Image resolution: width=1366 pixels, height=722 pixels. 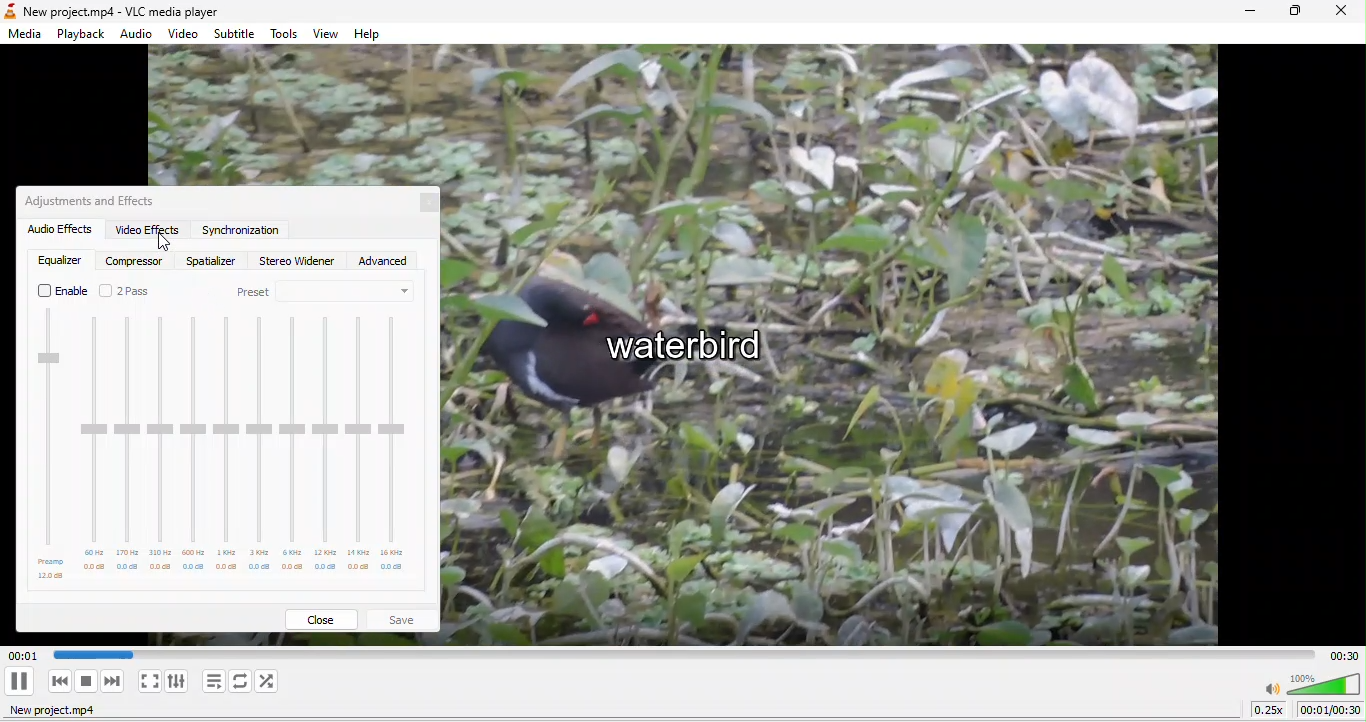 What do you see at coordinates (149, 681) in the screenshot?
I see `video in fullscreen` at bounding box center [149, 681].